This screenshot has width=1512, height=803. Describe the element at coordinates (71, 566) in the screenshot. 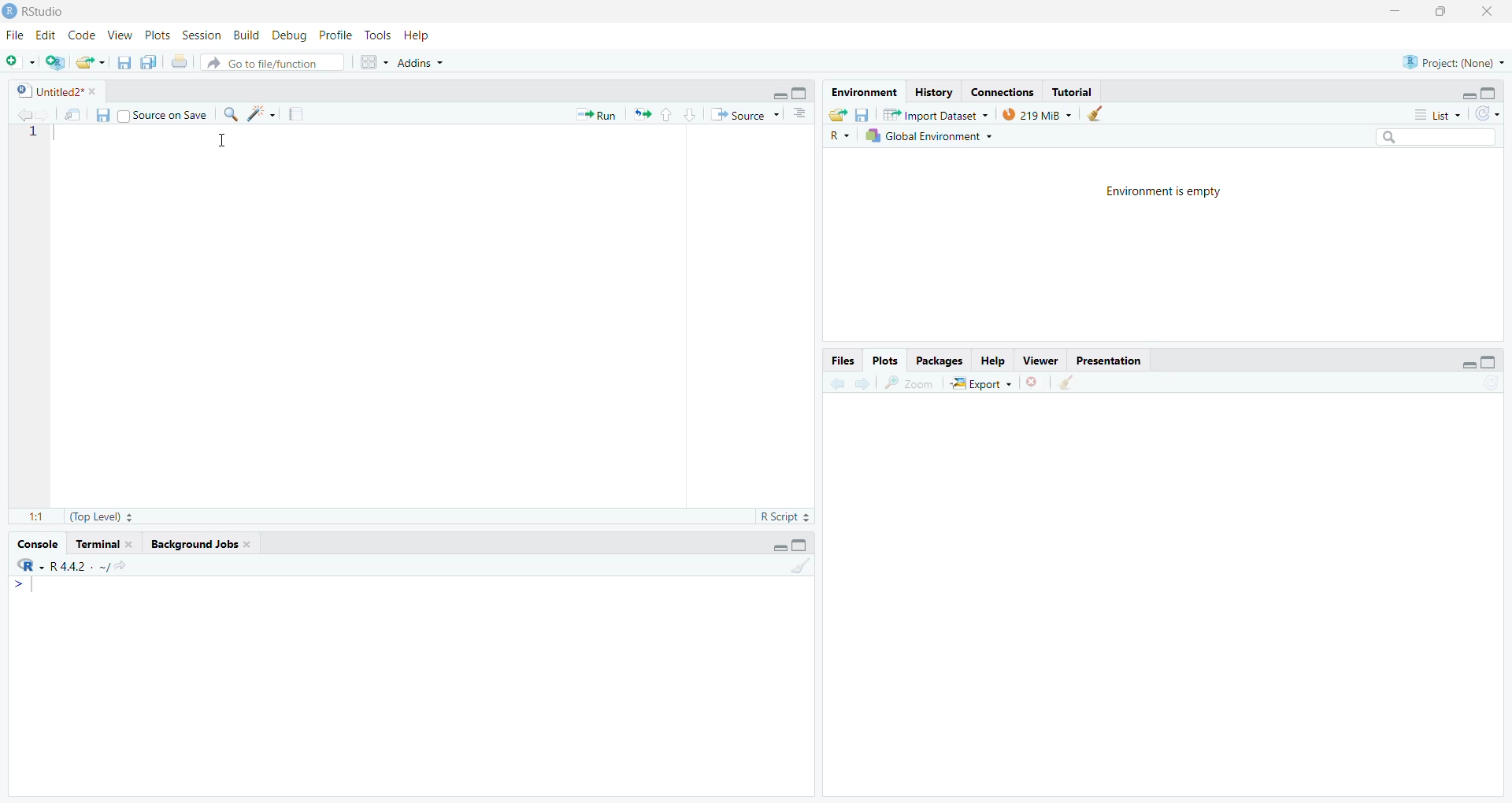

I see `R-R442. ~/` at that location.